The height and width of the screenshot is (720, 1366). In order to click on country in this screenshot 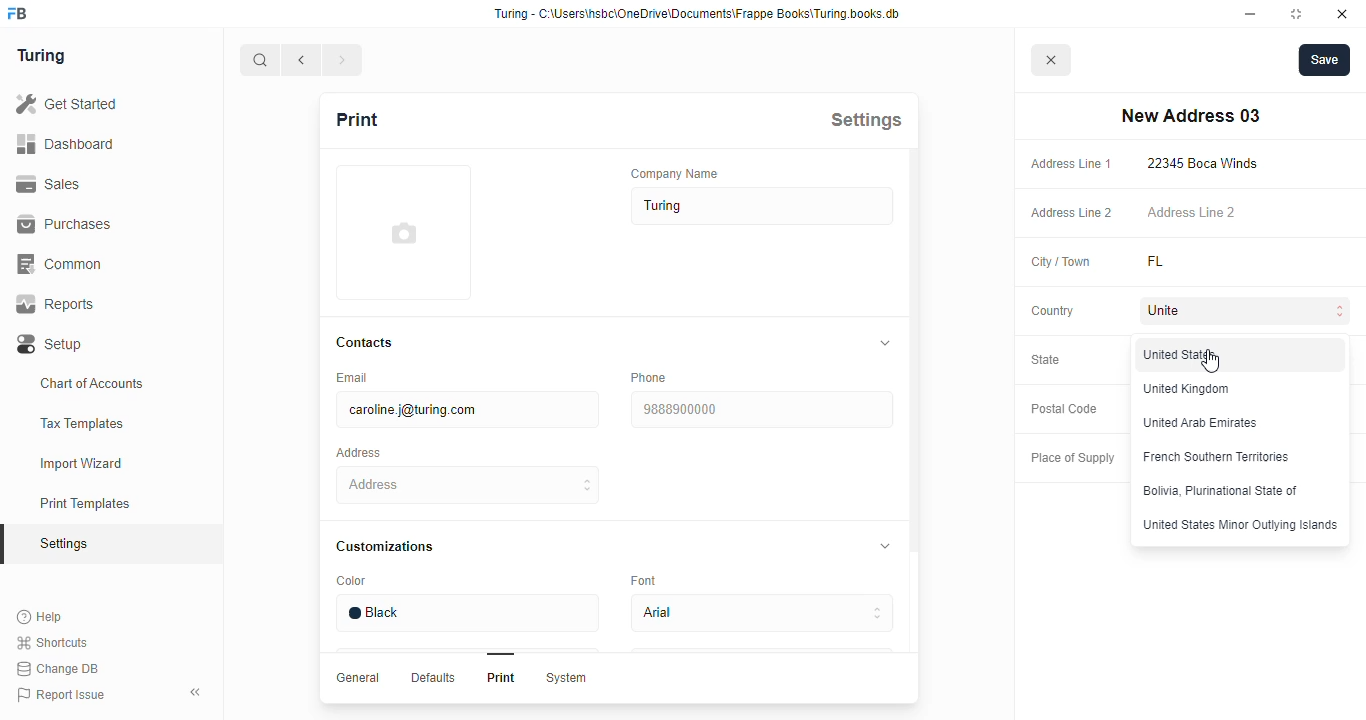, I will do `click(1053, 311)`.